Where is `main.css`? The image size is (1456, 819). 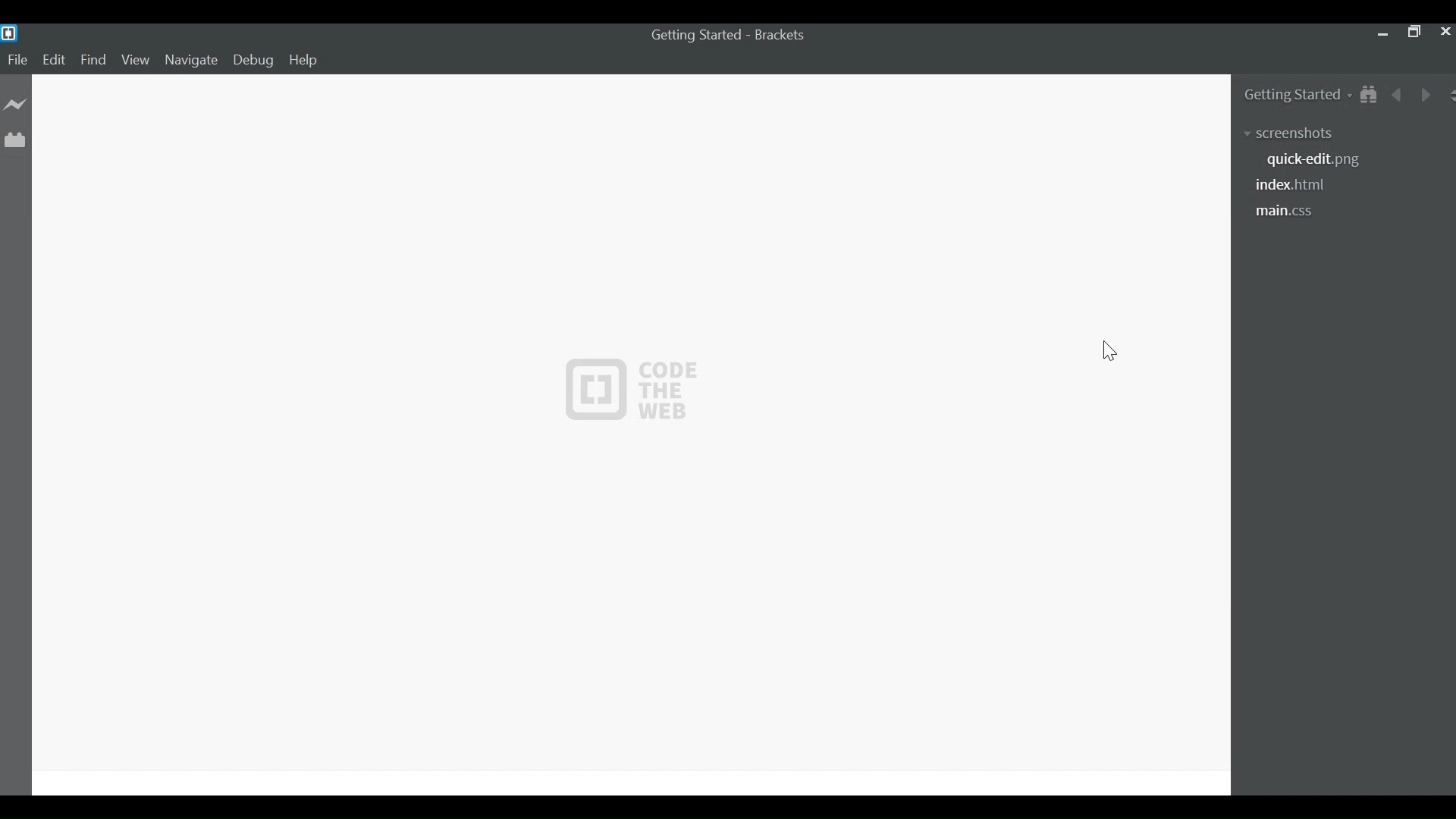
main.css is located at coordinates (1293, 213).